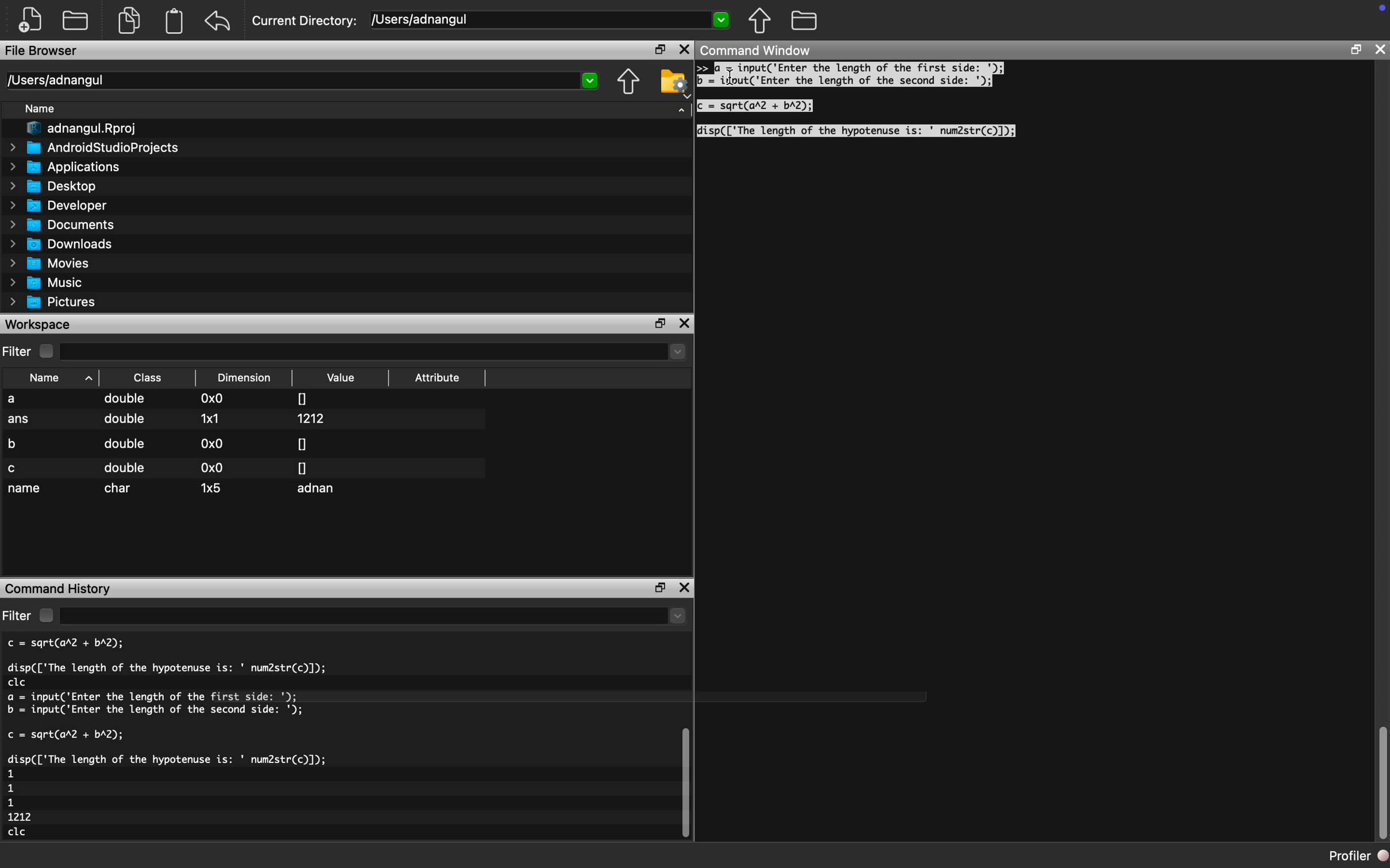  What do you see at coordinates (21, 400) in the screenshot?
I see `a` at bounding box center [21, 400].